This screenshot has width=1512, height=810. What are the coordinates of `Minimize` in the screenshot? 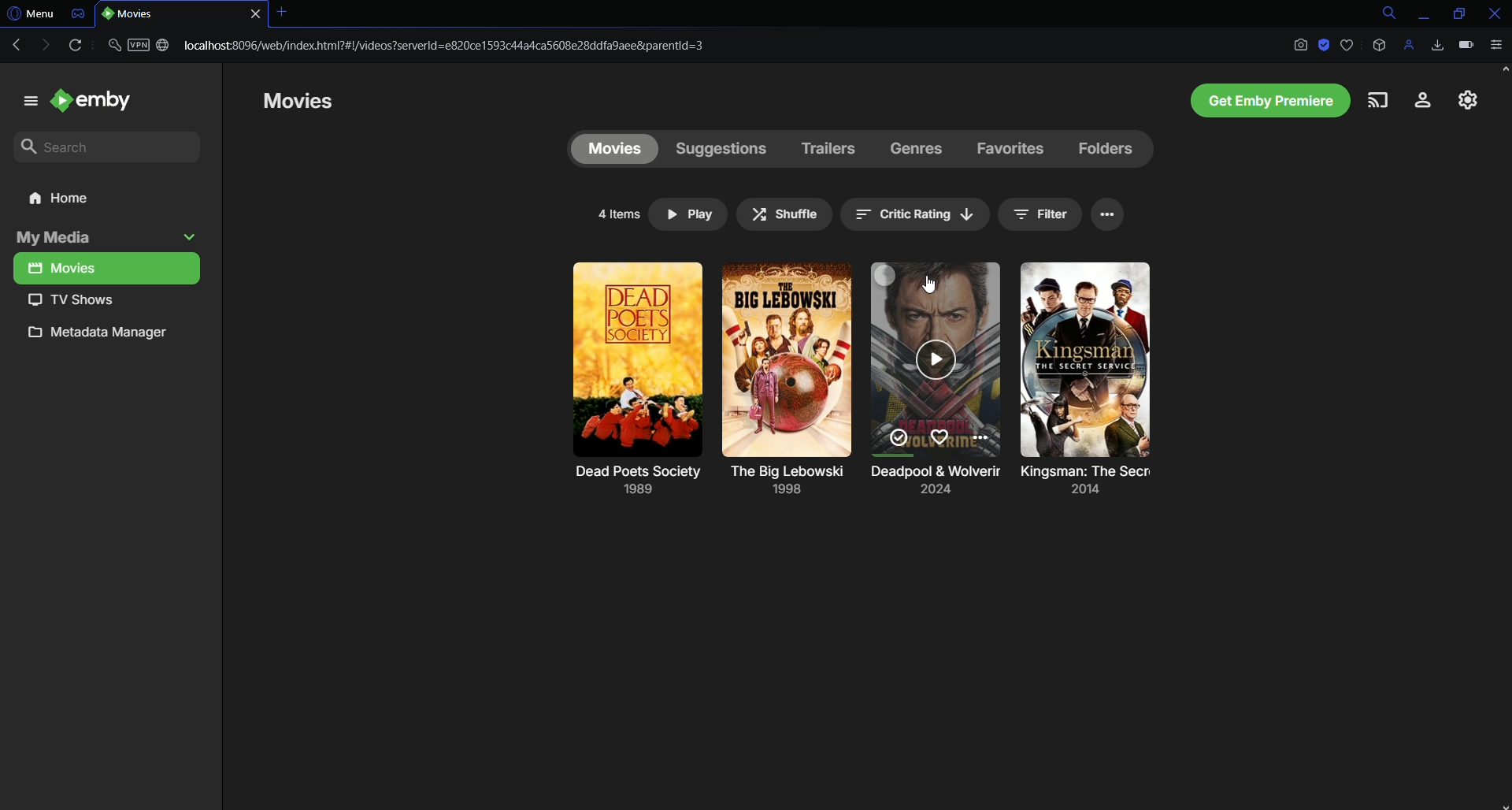 It's located at (1421, 13).